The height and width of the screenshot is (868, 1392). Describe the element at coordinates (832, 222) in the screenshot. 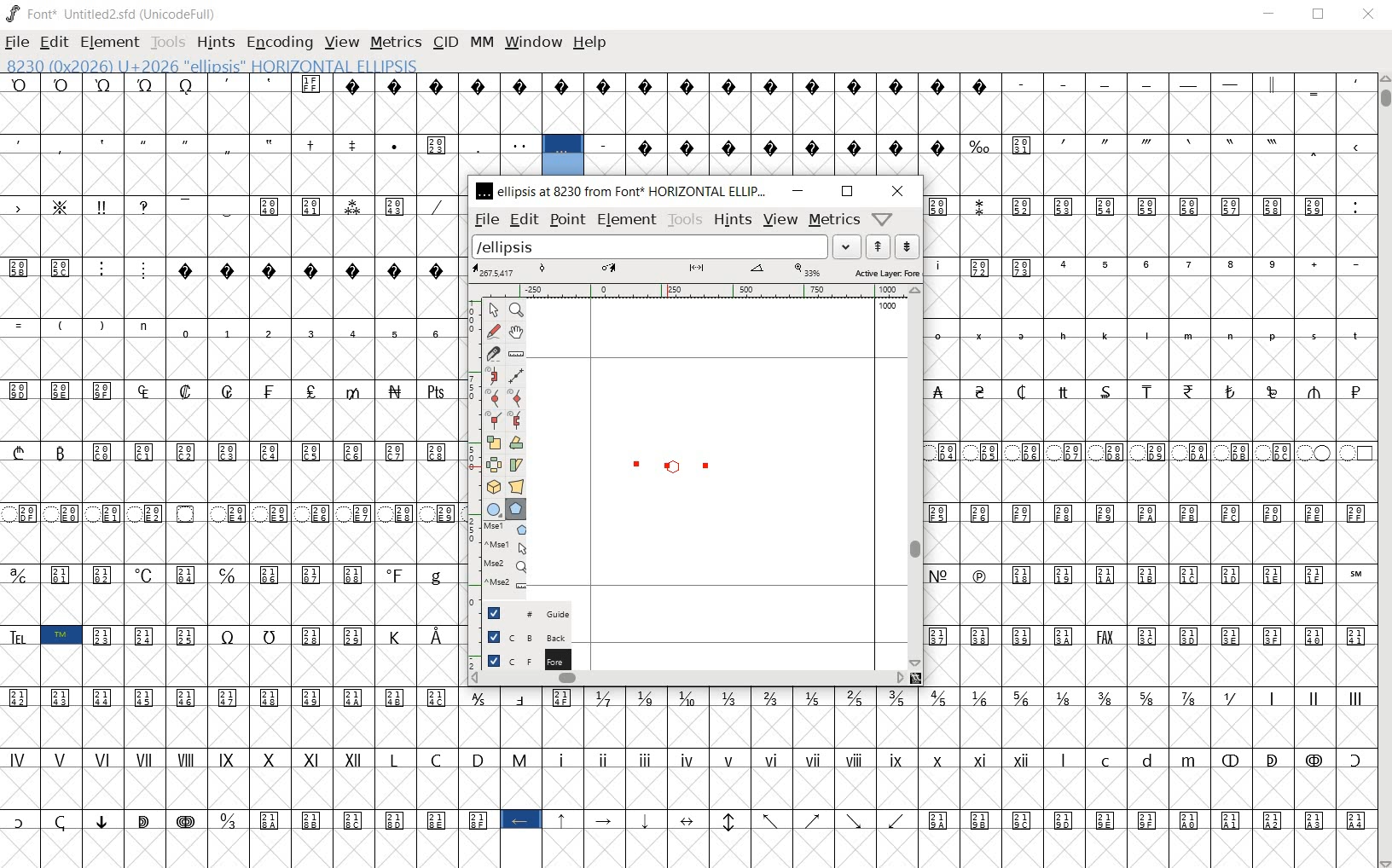

I see `metrics` at that location.